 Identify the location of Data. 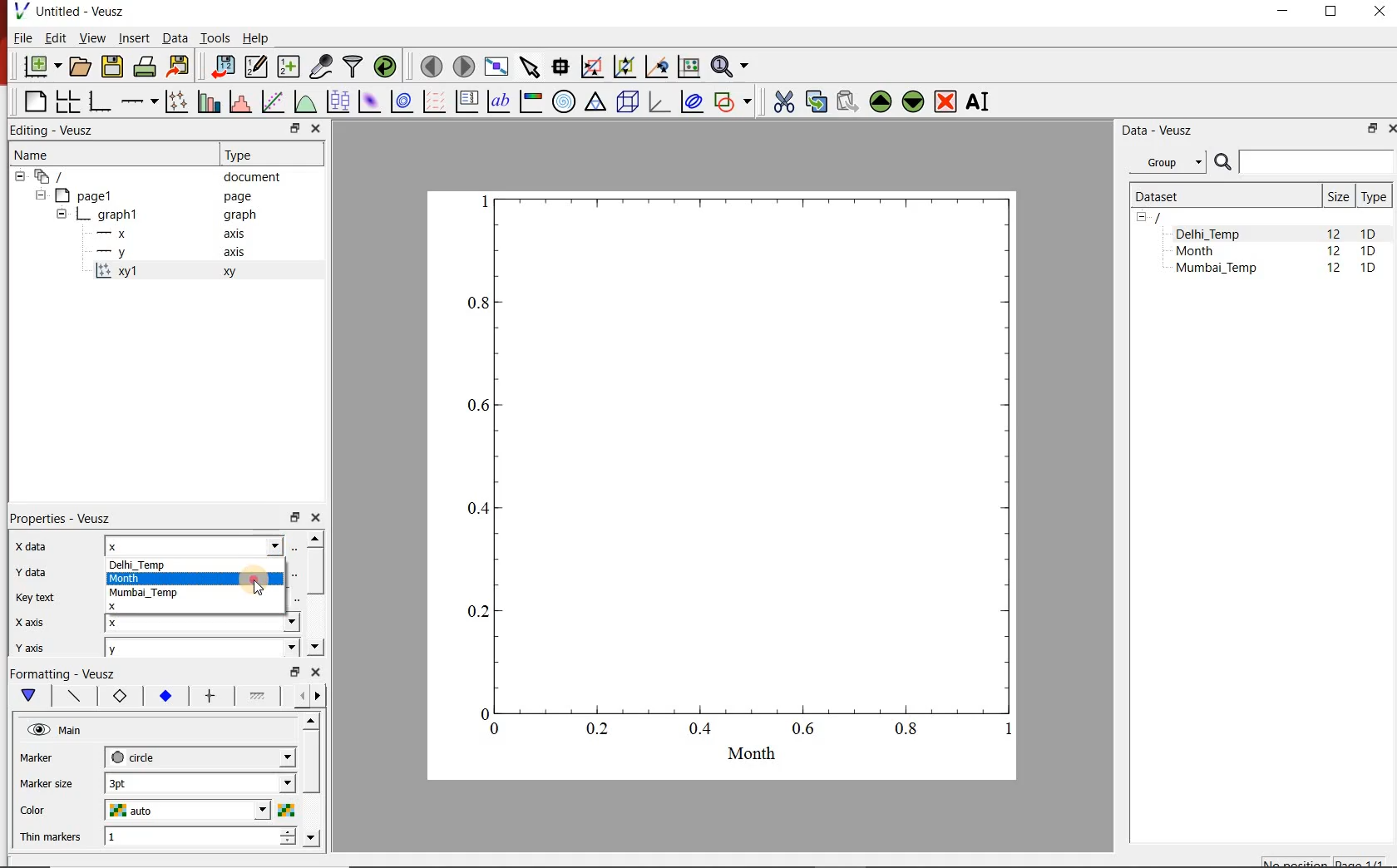
(174, 37).